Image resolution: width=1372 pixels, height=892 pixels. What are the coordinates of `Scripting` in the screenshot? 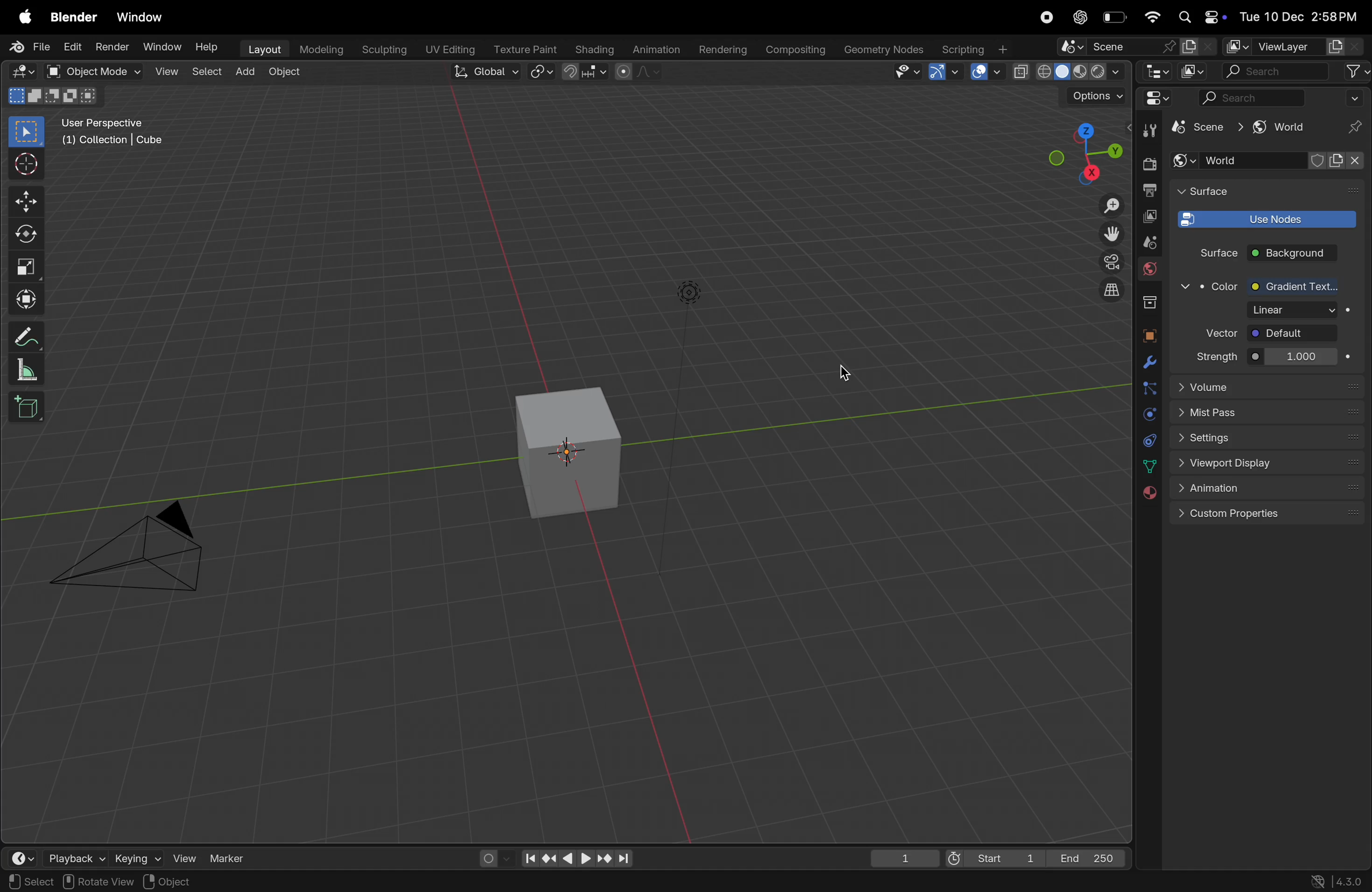 It's located at (978, 49).